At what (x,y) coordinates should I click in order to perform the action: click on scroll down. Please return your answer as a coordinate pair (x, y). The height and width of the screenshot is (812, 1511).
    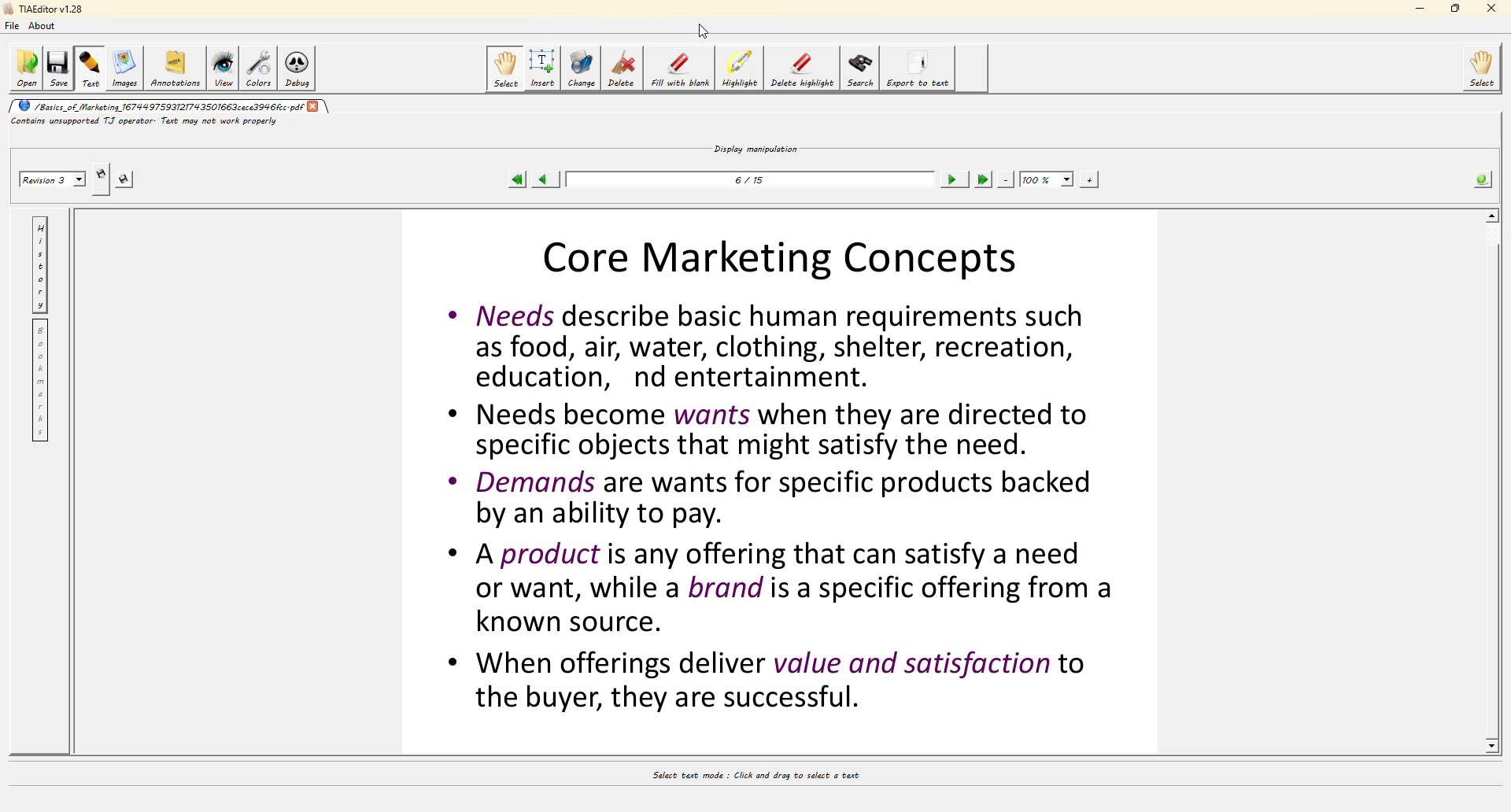
    Looking at the image, I should click on (1494, 746).